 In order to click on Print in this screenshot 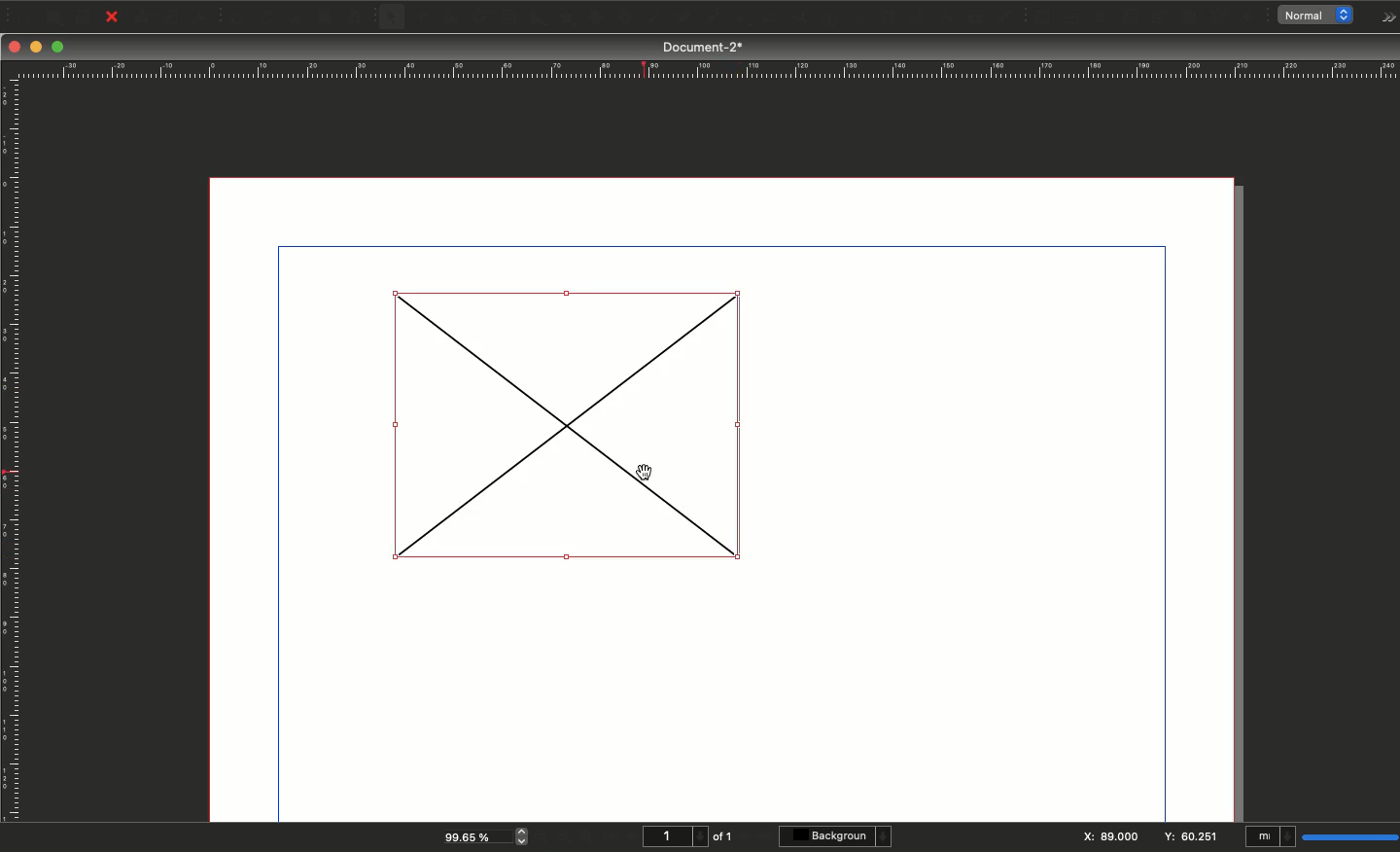, I will do `click(142, 18)`.